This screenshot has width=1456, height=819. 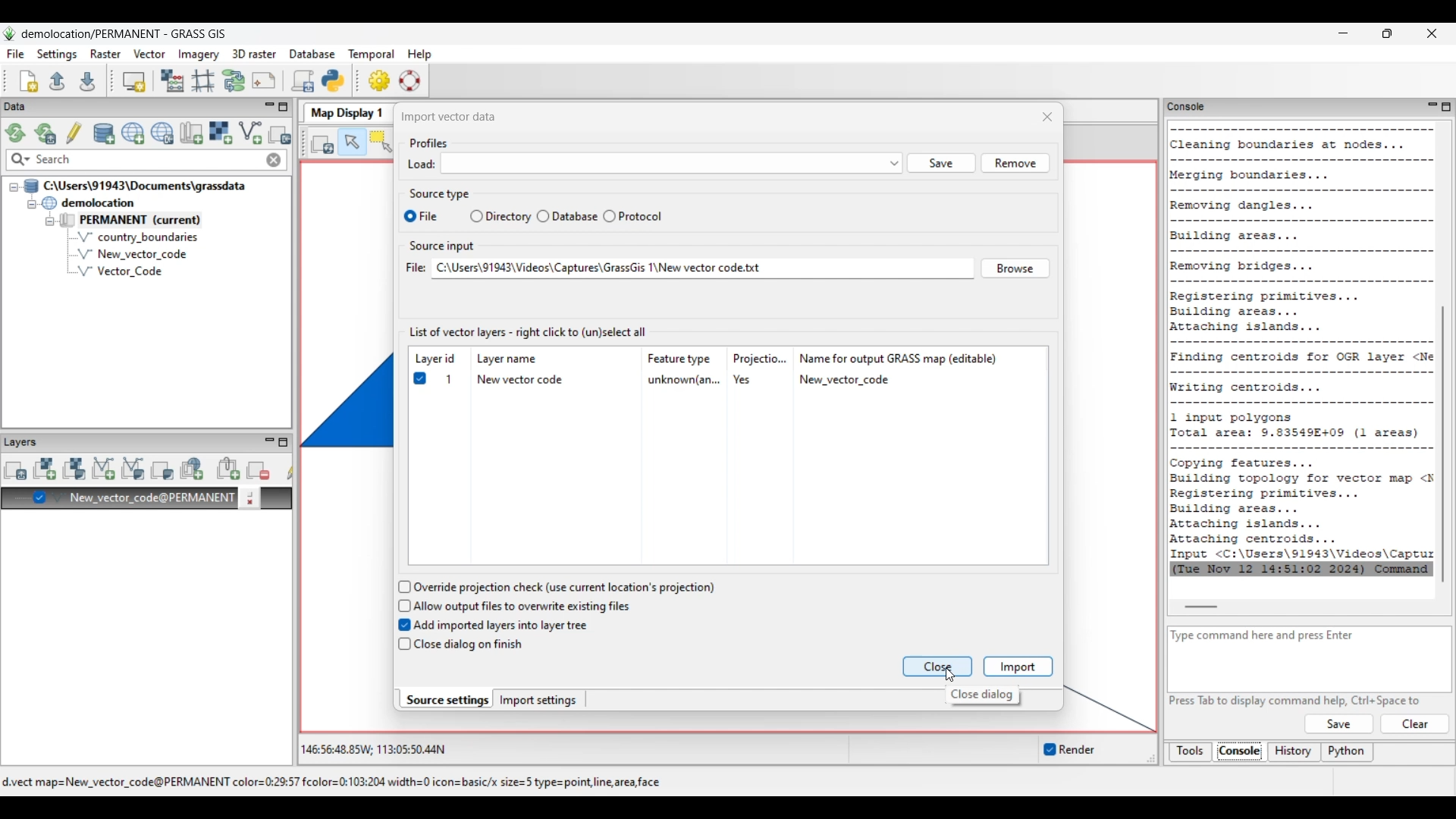 I want to click on Type in map for quick search, so click(x=148, y=160).